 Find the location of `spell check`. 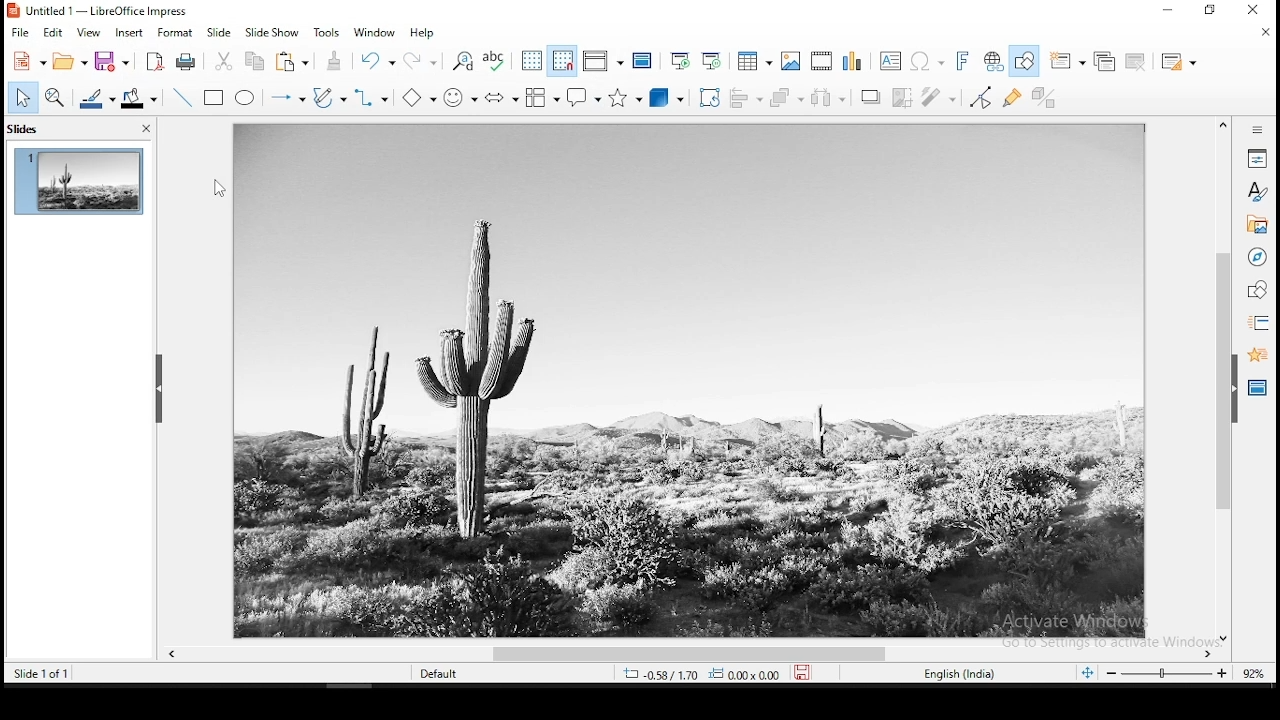

spell check is located at coordinates (497, 61).